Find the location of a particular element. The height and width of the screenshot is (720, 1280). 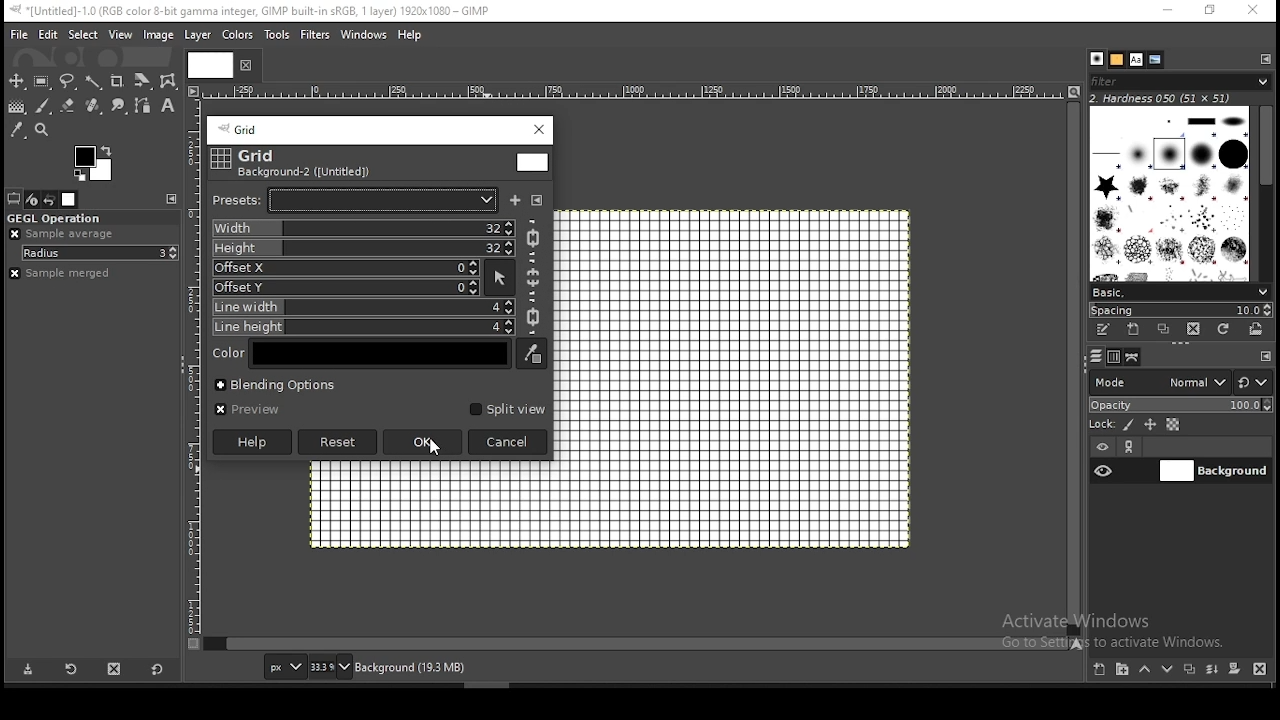

eraser tool is located at coordinates (95, 106).